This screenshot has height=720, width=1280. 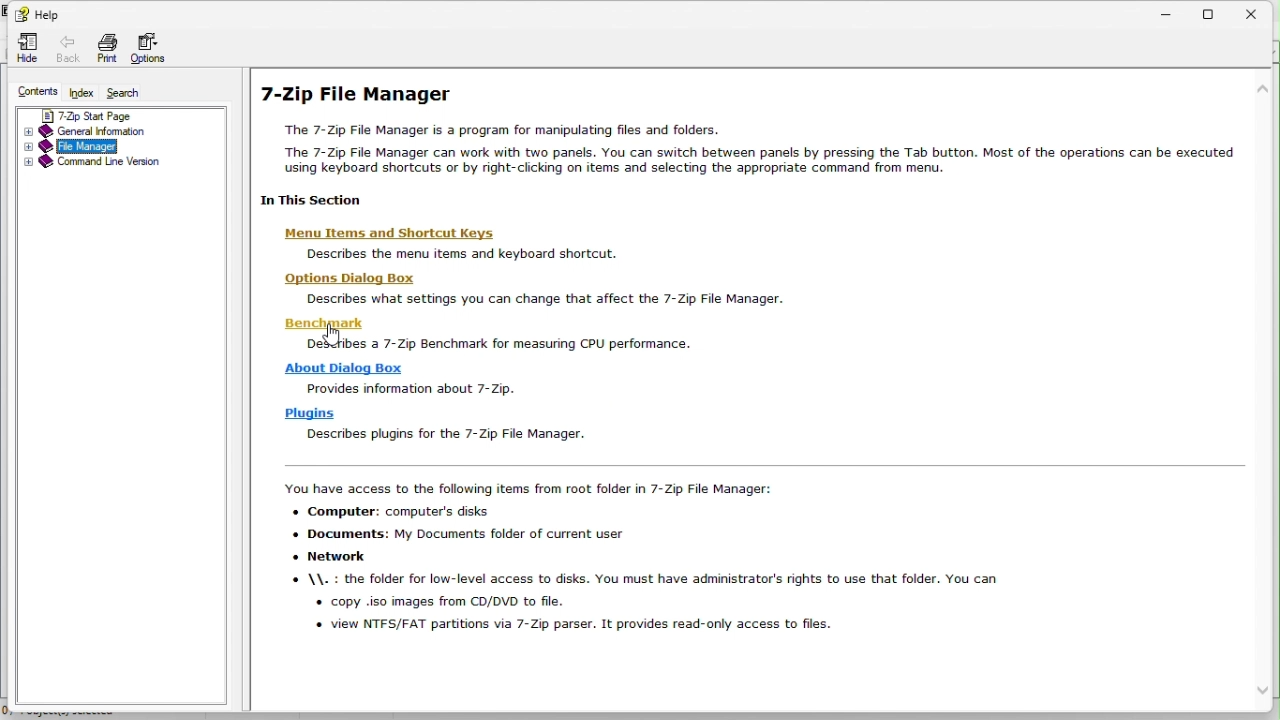 What do you see at coordinates (103, 45) in the screenshot?
I see `Print` at bounding box center [103, 45].